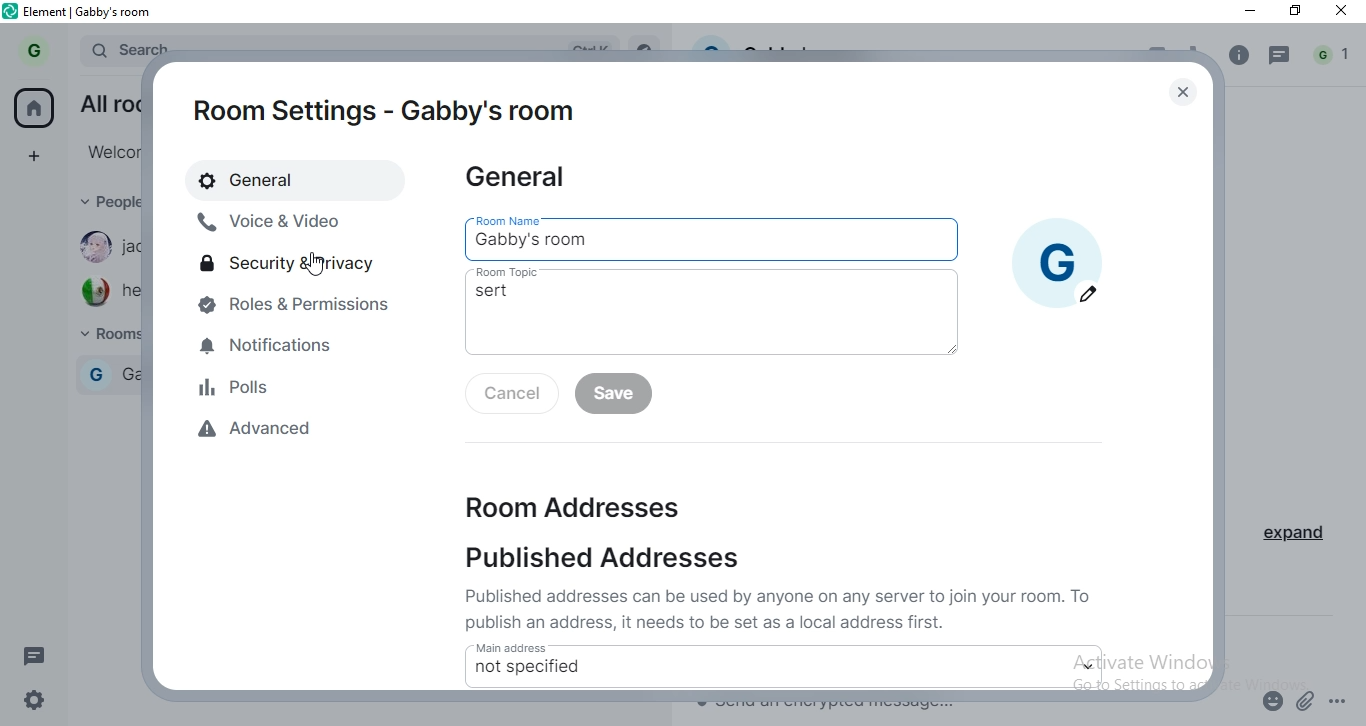  What do you see at coordinates (11, 11) in the screenshot?
I see `element logo` at bounding box center [11, 11].